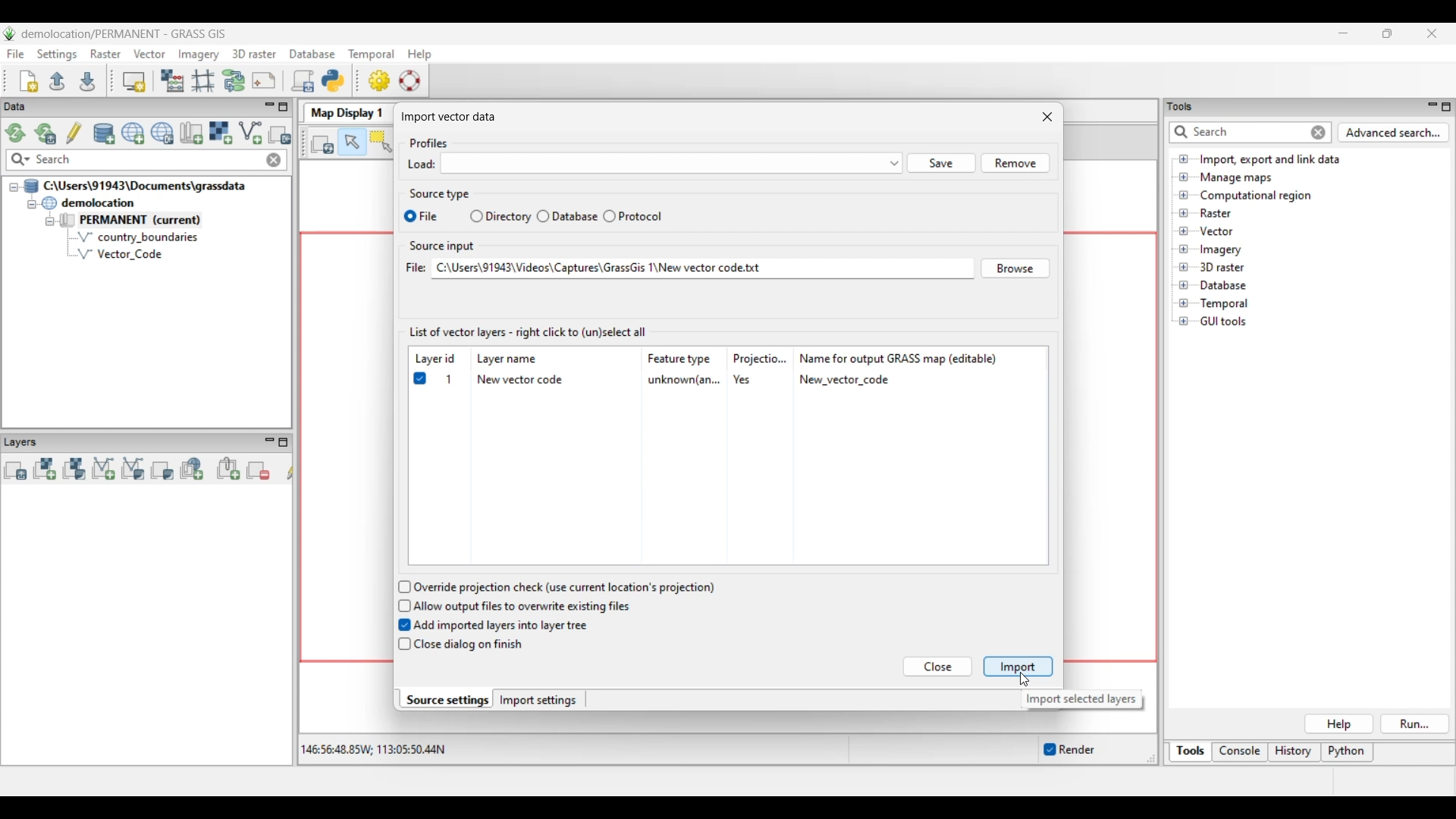 This screenshot has width=1456, height=819. Describe the element at coordinates (1025, 679) in the screenshot. I see `Cursor clicking on Importing selected file` at that location.